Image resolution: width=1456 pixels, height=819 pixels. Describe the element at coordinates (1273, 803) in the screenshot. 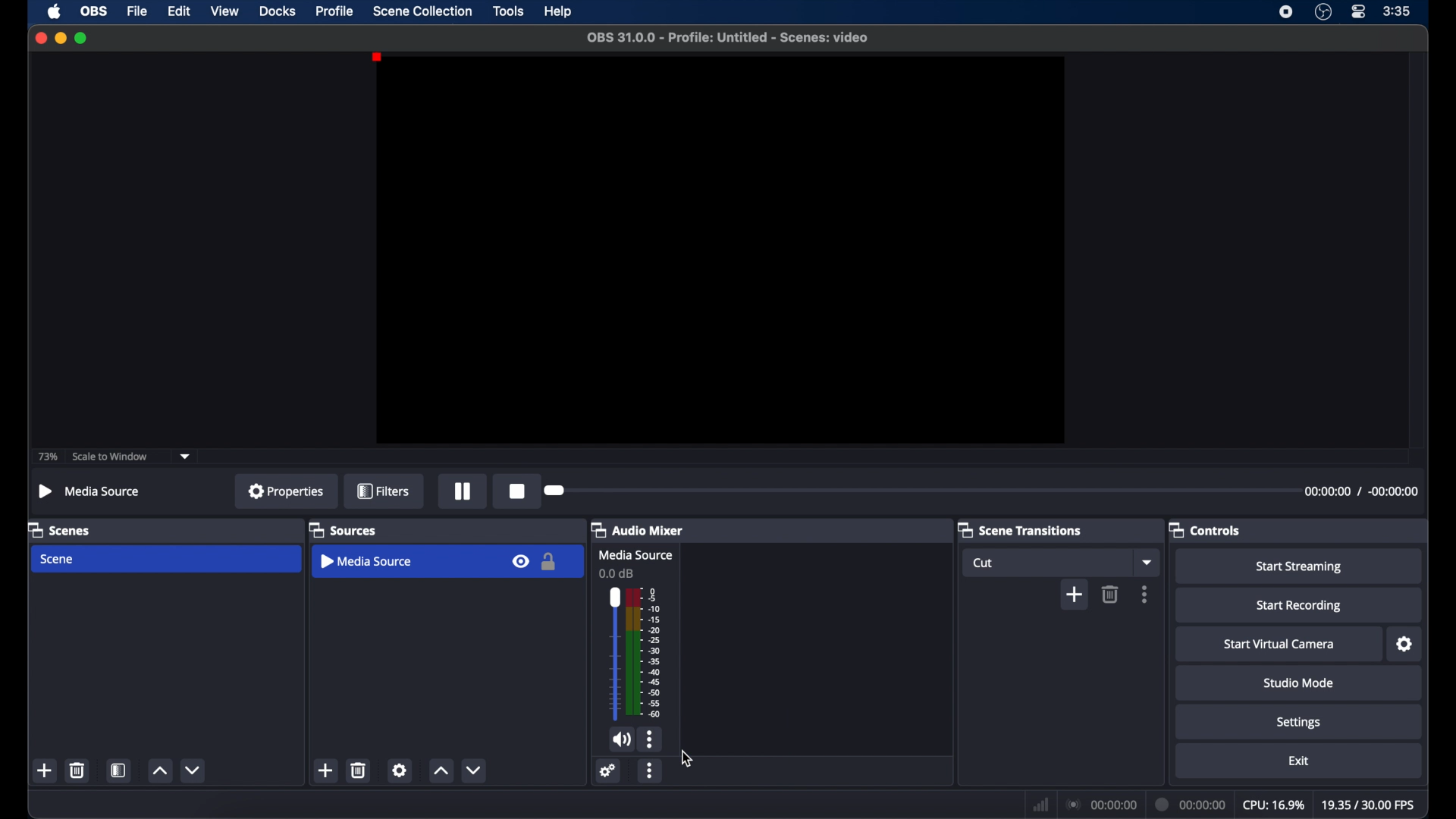

I see `cpu` at that location.